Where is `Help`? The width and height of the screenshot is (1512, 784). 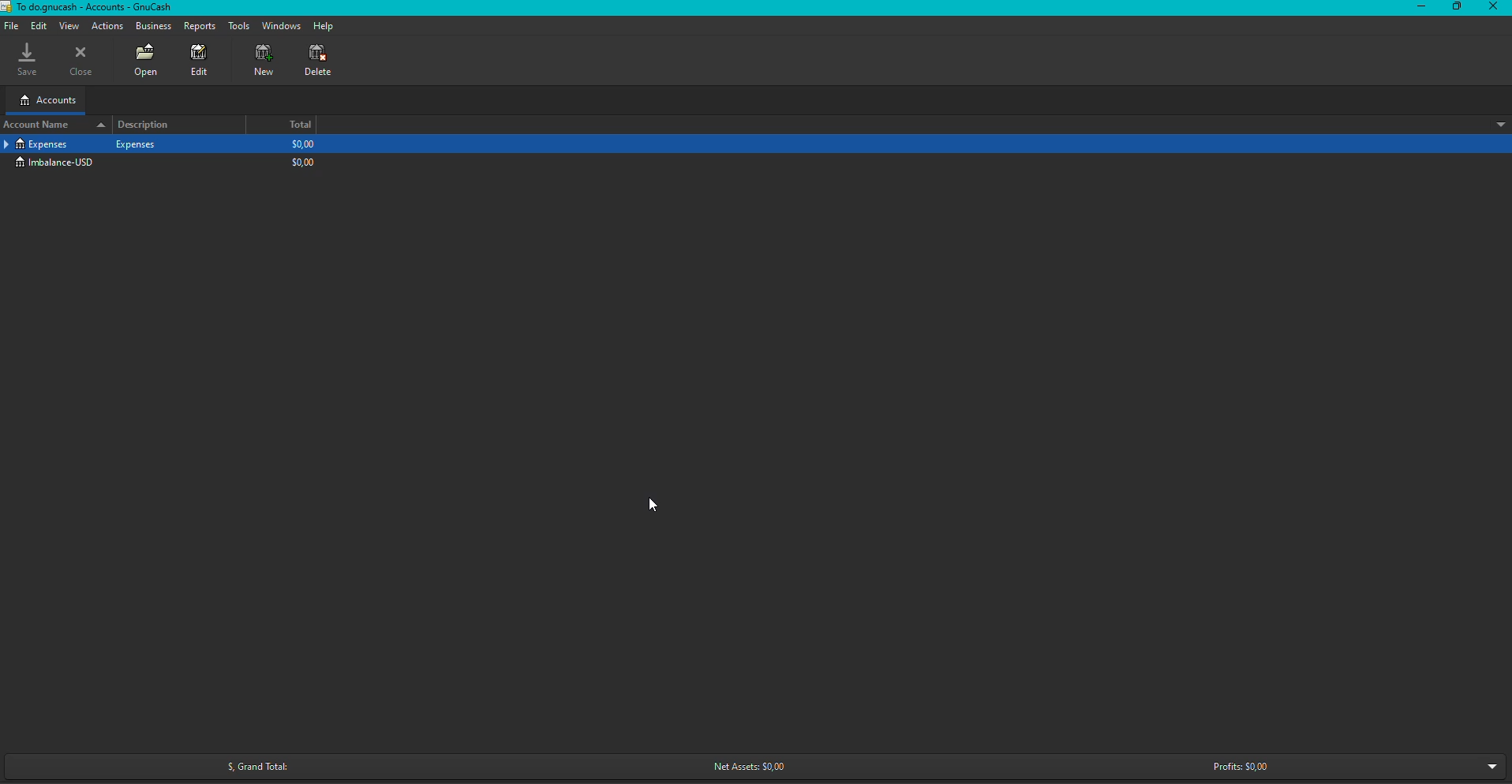
Help is located at coordinates (324, 25).